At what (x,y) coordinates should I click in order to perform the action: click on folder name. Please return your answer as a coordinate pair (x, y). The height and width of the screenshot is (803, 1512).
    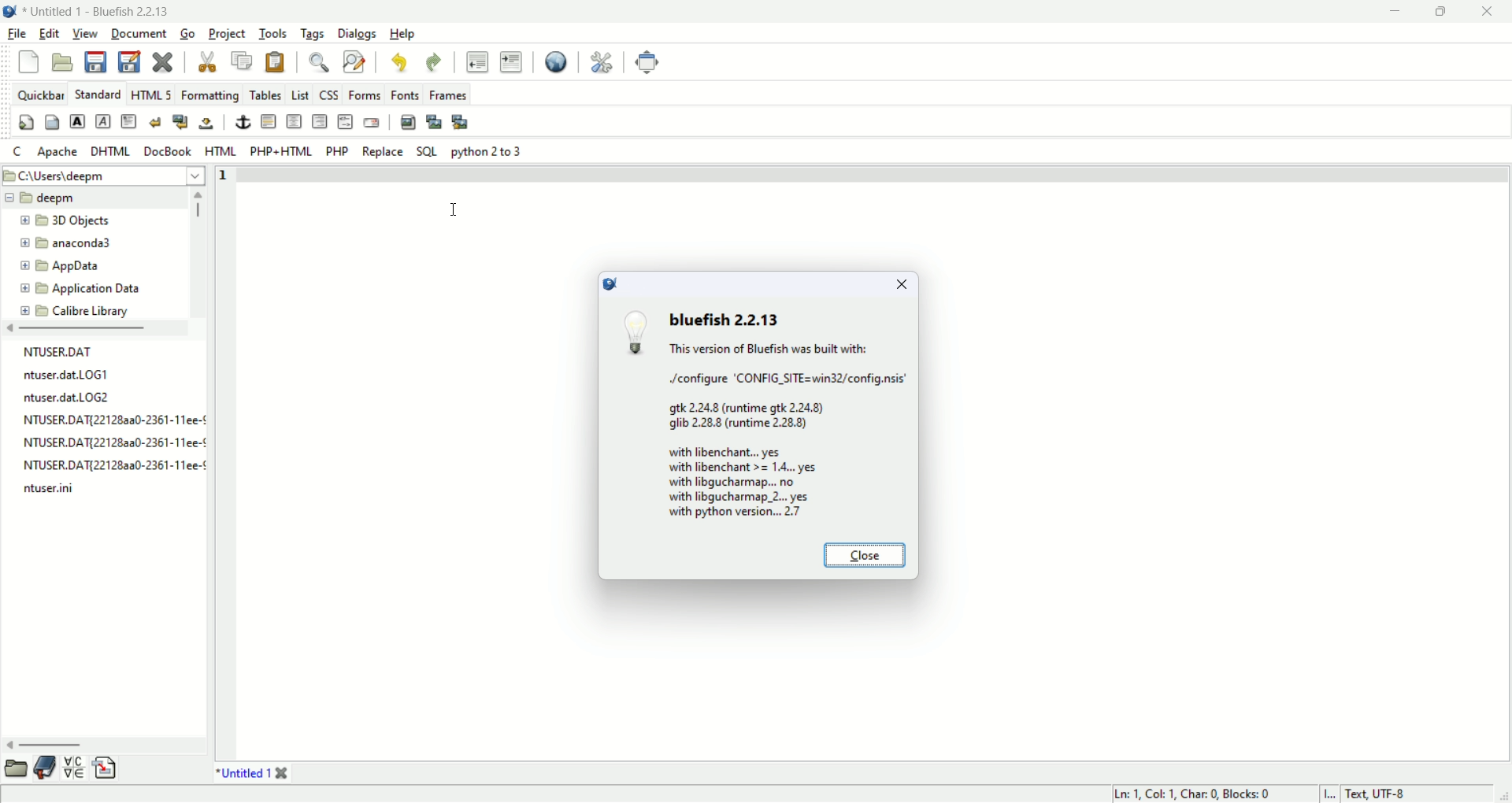
    Looking at the image, I should click on (73, 310).